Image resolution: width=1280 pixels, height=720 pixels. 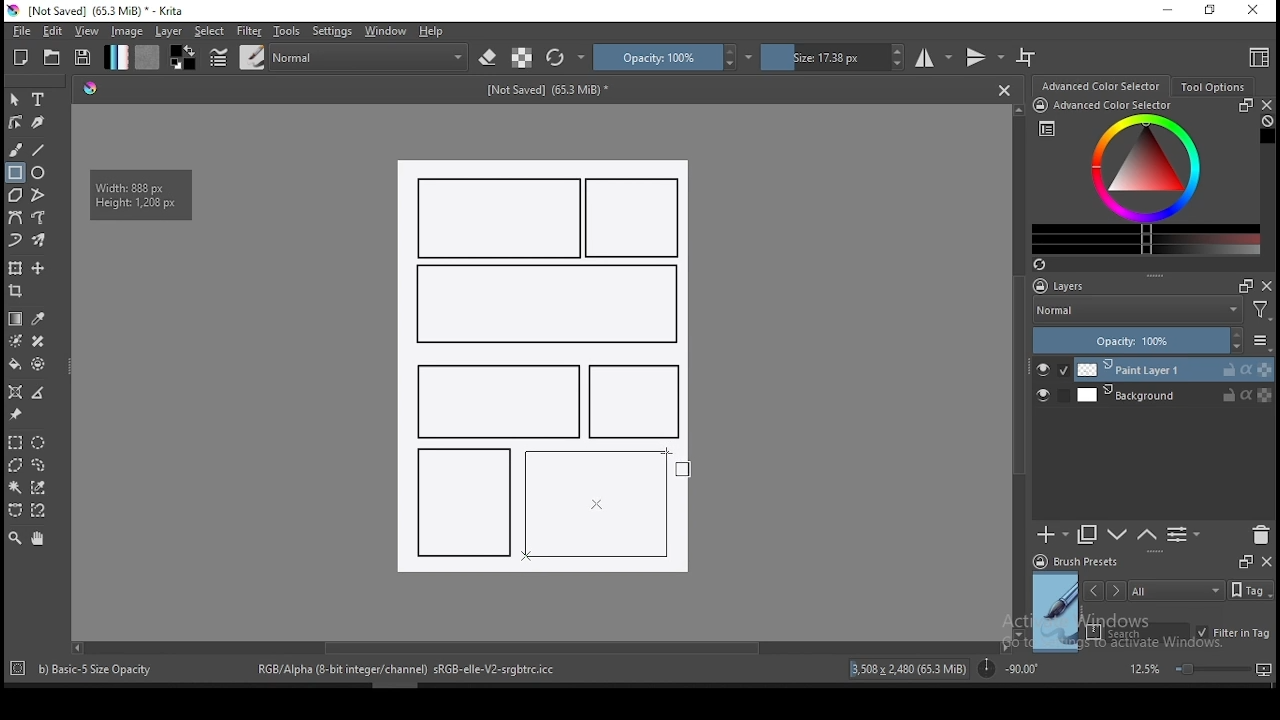 I want to click on file, so click(x=21, y=31).